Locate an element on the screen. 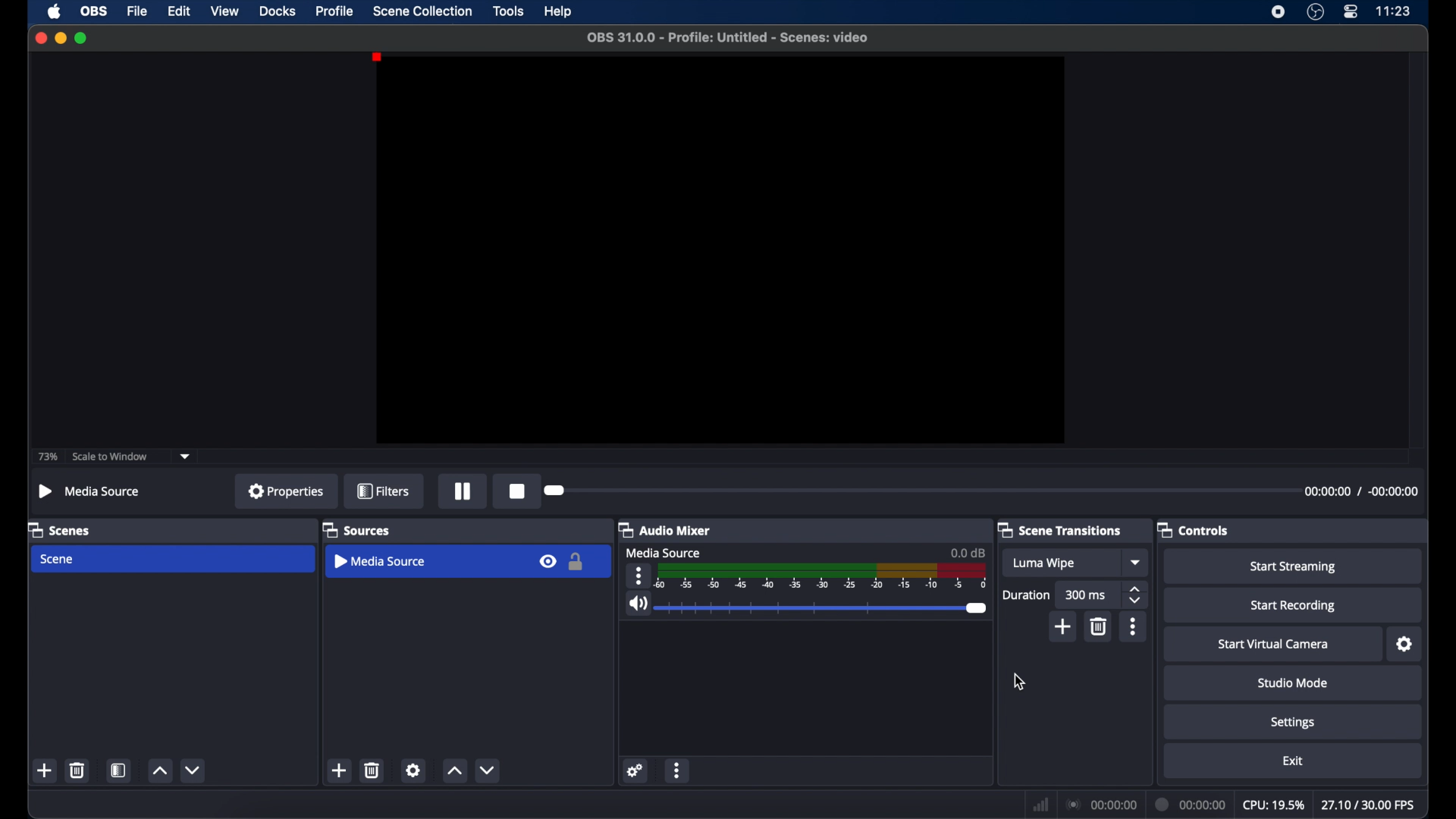 This screenshot has height=819, width=1456. help is located at coordinates (560, 12).